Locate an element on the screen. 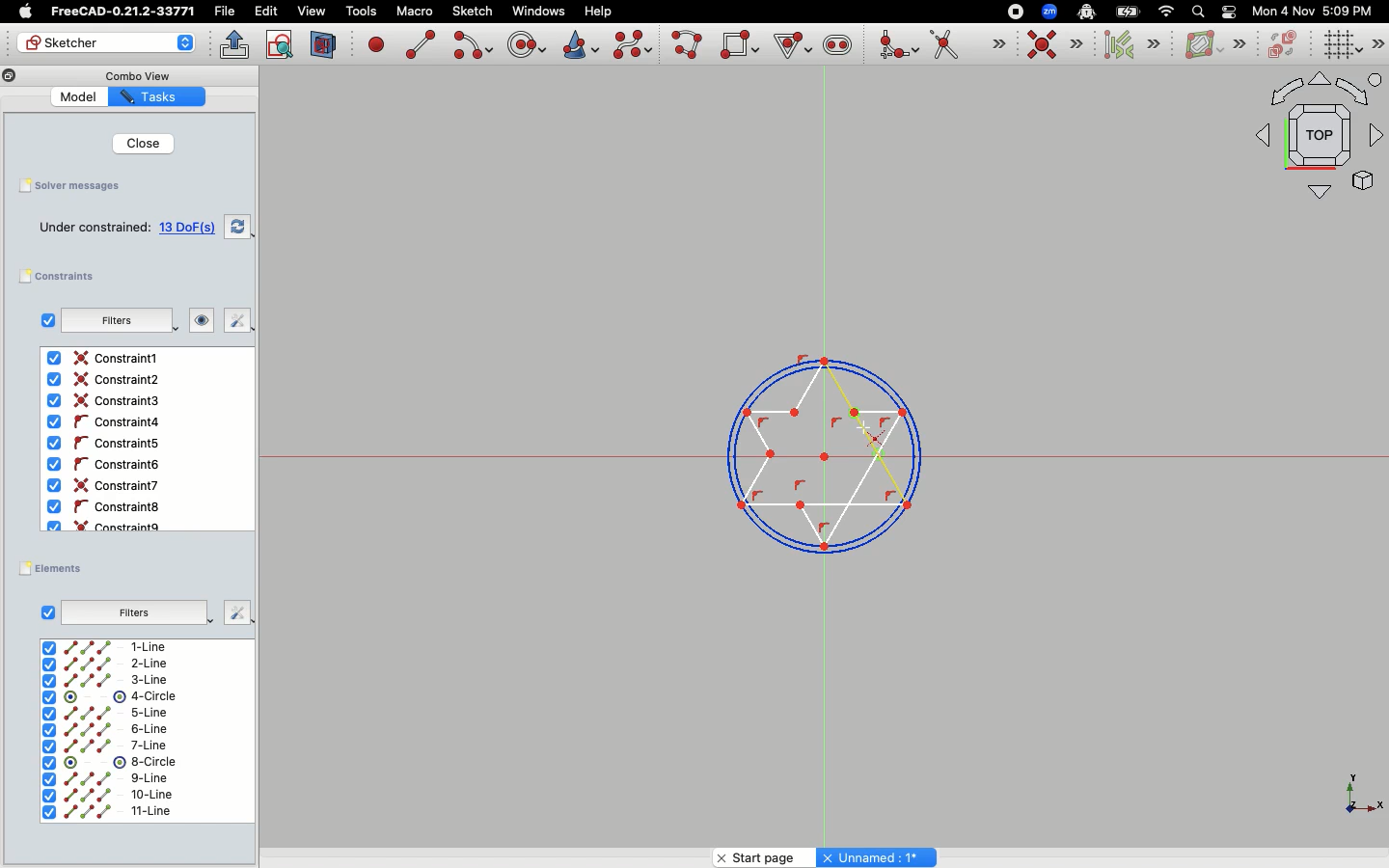 The height and width of the screenshot is (868, 1389). Constraints is located at coordinates (65, 277).